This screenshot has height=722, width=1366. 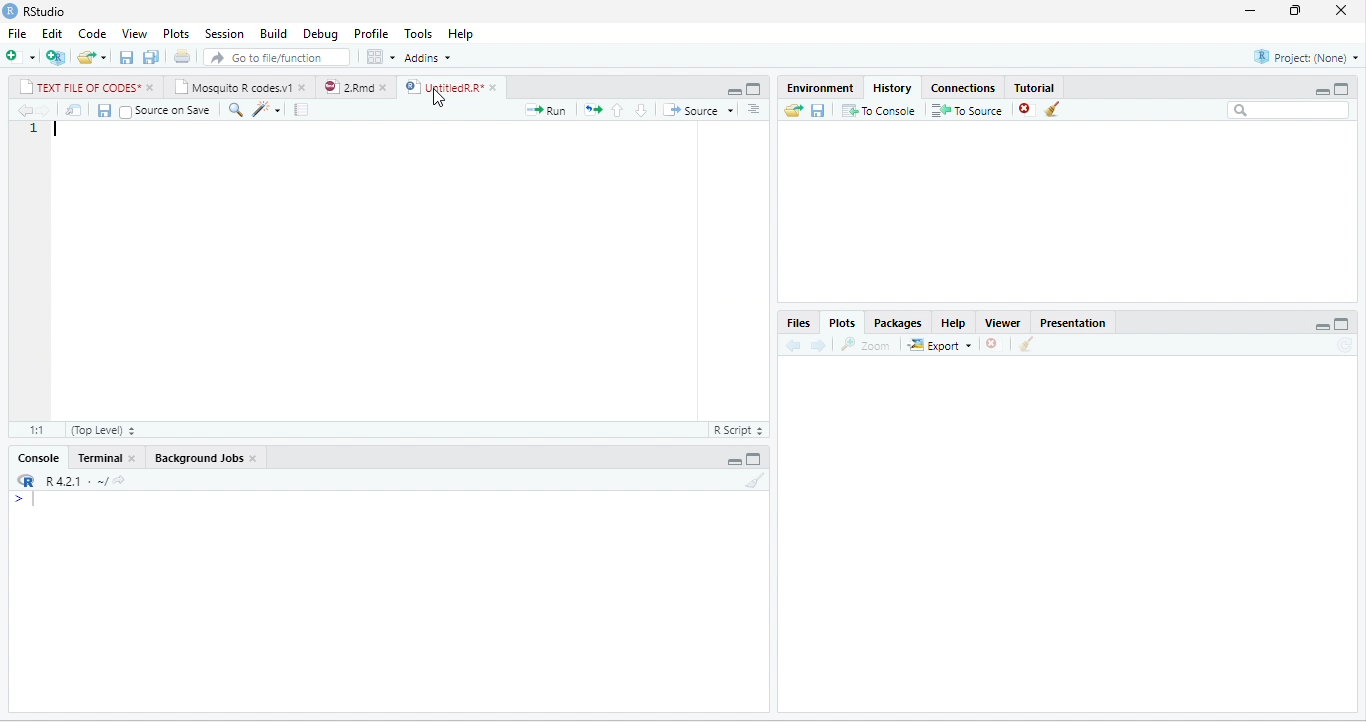 I want to click on cursor, so click(x=438, y=98).